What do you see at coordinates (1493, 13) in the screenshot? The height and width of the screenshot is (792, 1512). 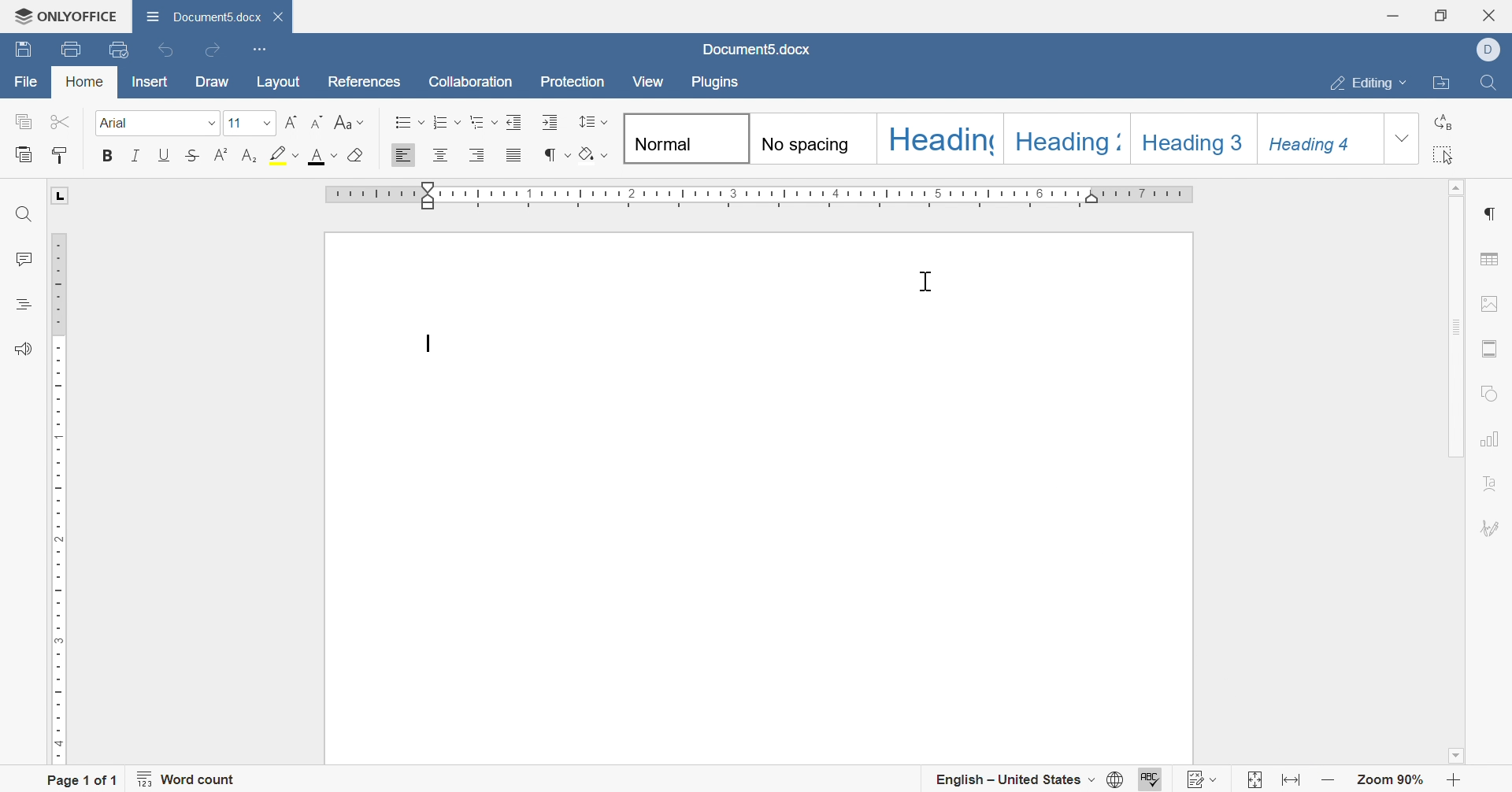 I see `close` at bounding box center [1493, 13].